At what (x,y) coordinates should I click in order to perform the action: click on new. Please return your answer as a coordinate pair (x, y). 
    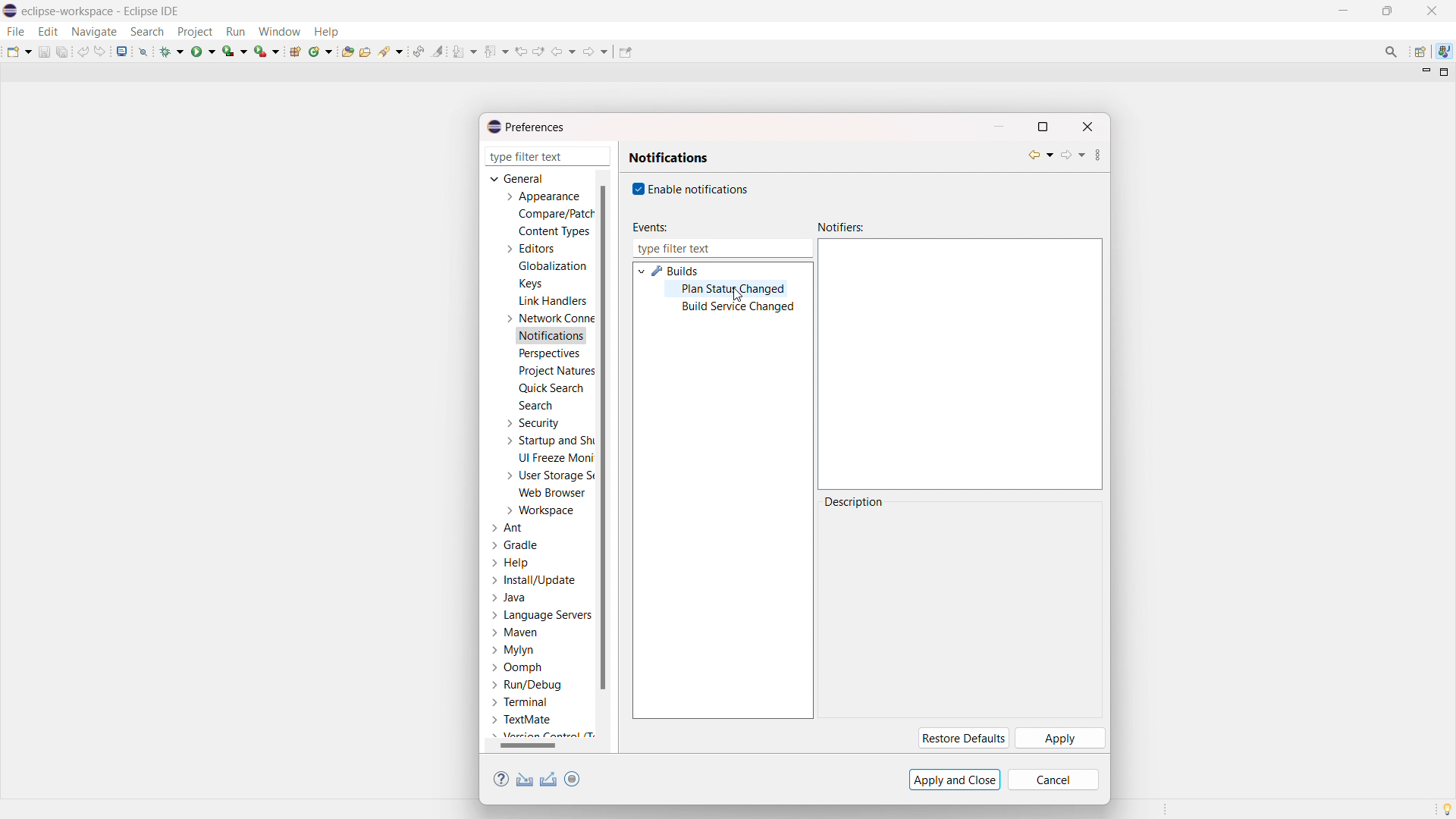
    Looking at the image, I should click on (19, 51).